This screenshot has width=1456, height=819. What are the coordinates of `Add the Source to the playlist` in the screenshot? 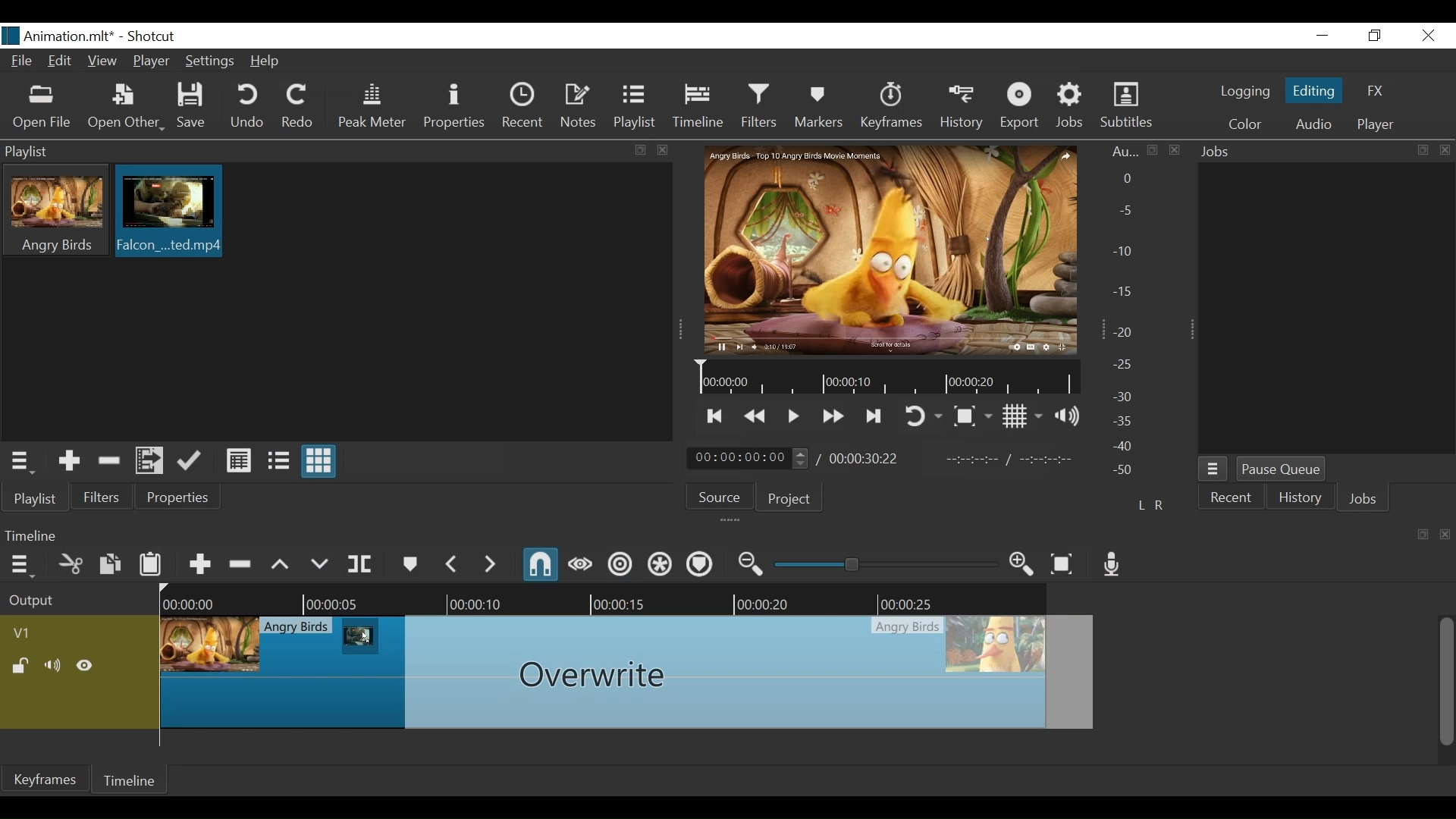 It's located at (67, 460).